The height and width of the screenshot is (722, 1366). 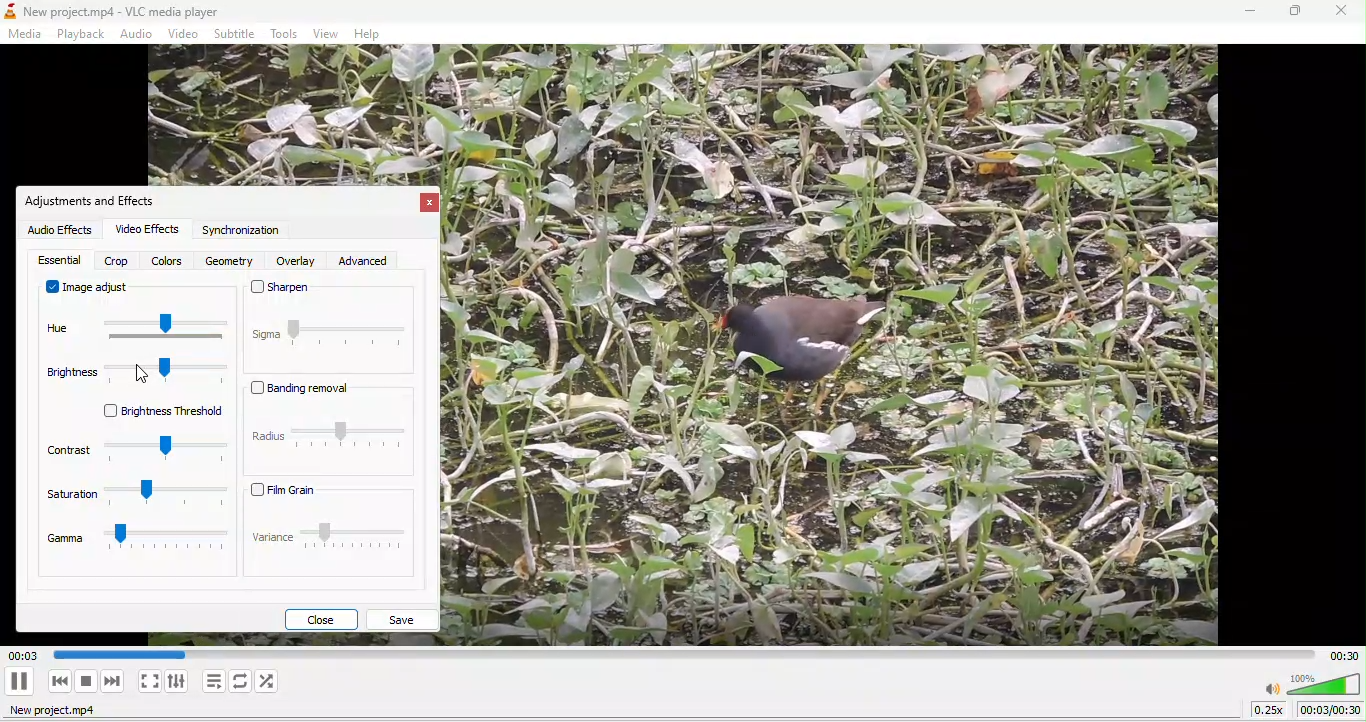 What do you see at coordinates (236, 33) in the screenshot?
I see `subtitle` at bounding box center [236, 33].